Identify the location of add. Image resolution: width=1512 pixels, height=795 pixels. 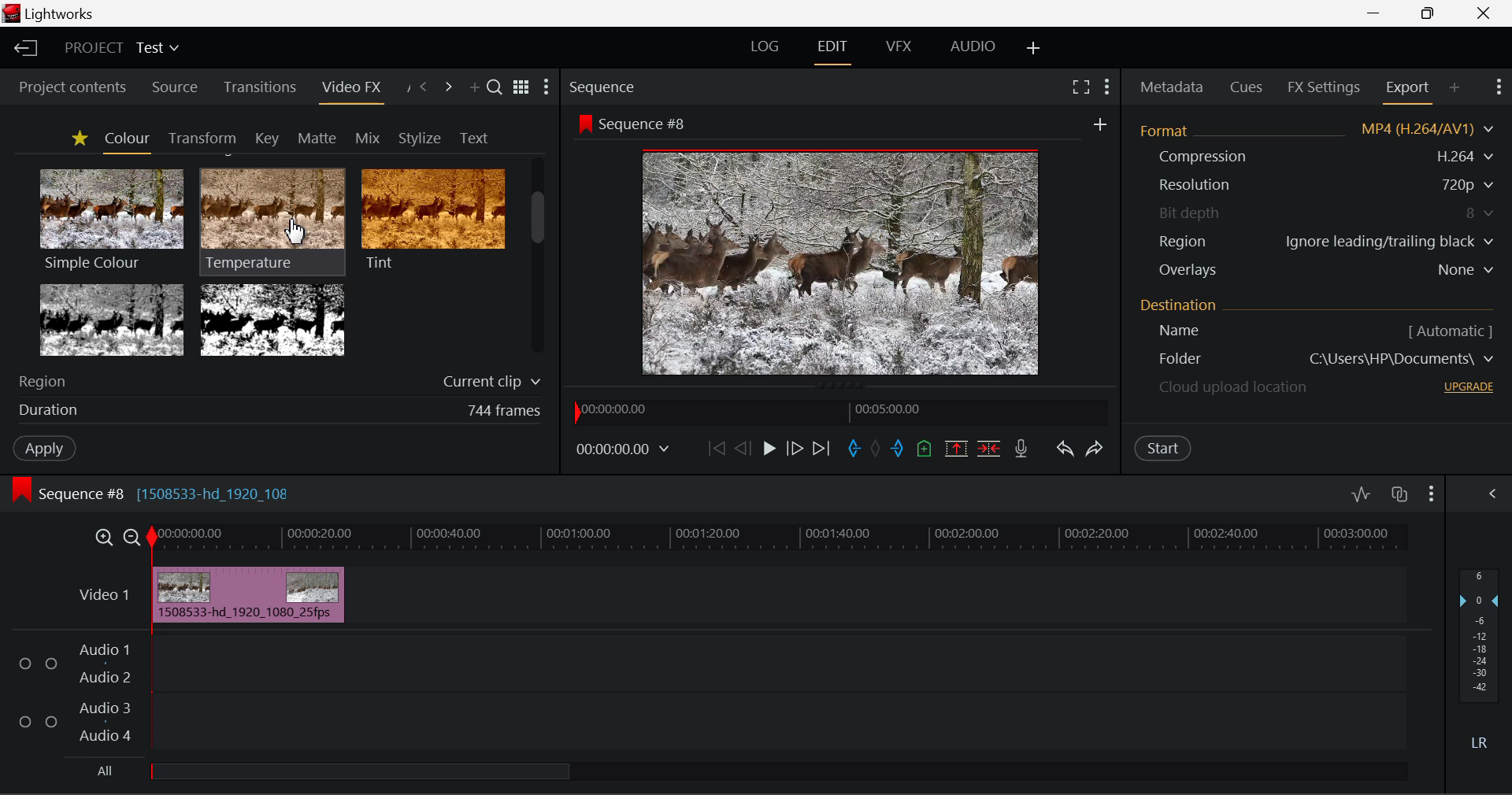
(1099, 124).